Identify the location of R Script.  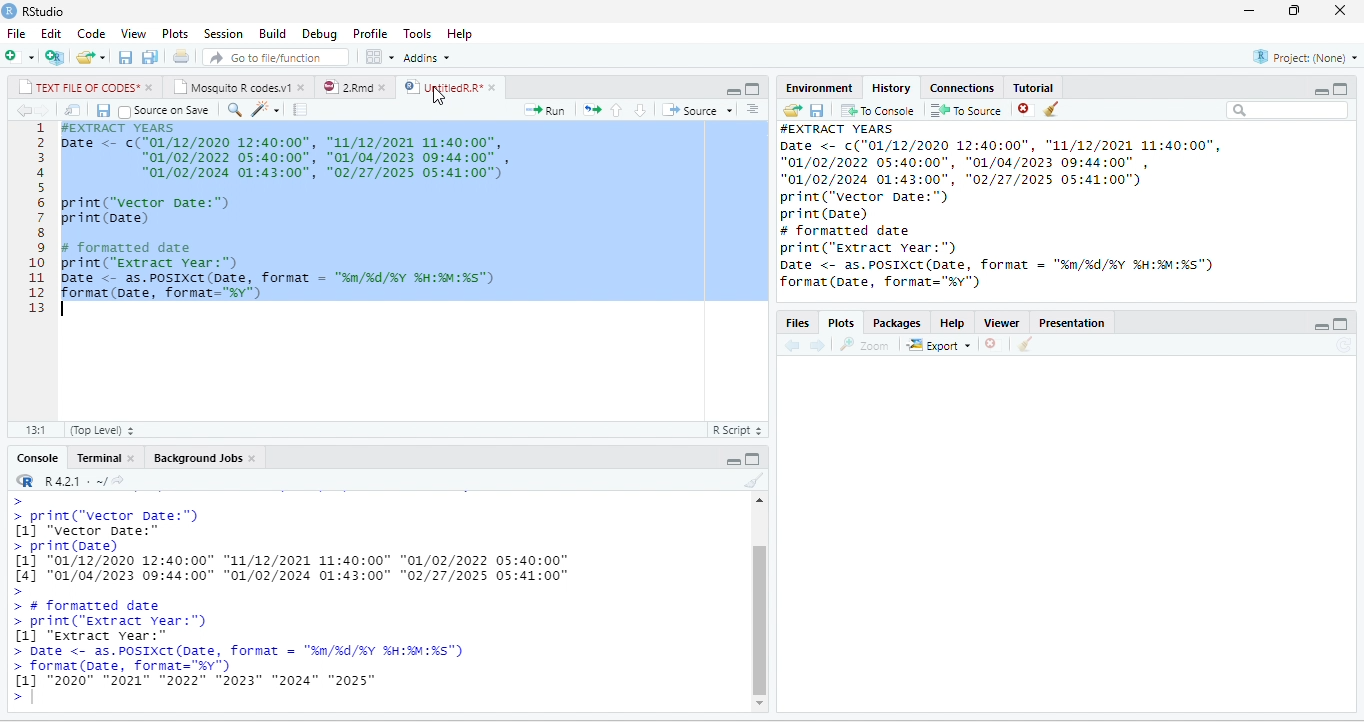
(736, 429).